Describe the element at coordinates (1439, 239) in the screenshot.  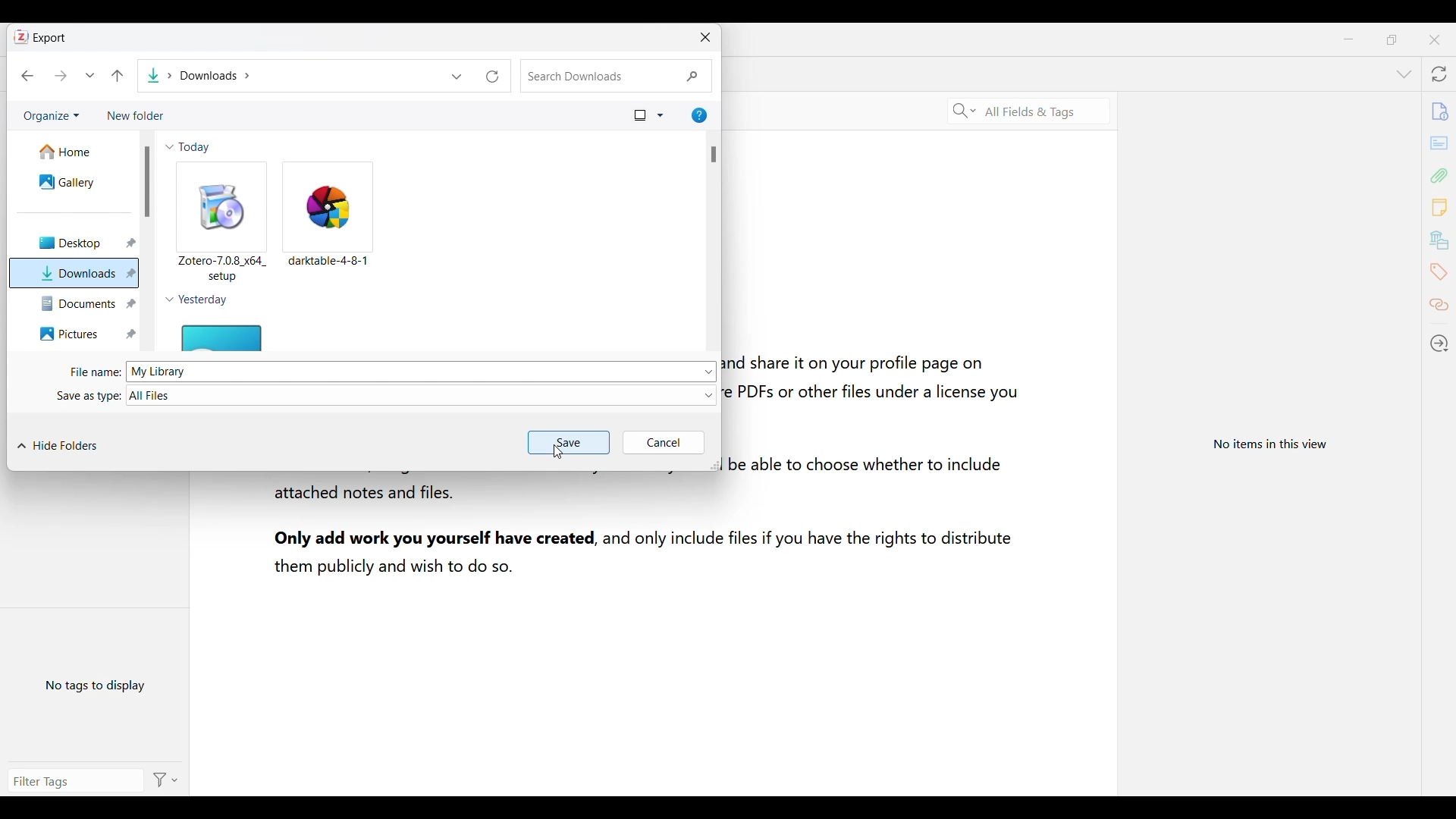
I see `Libraries and collections` at that location.